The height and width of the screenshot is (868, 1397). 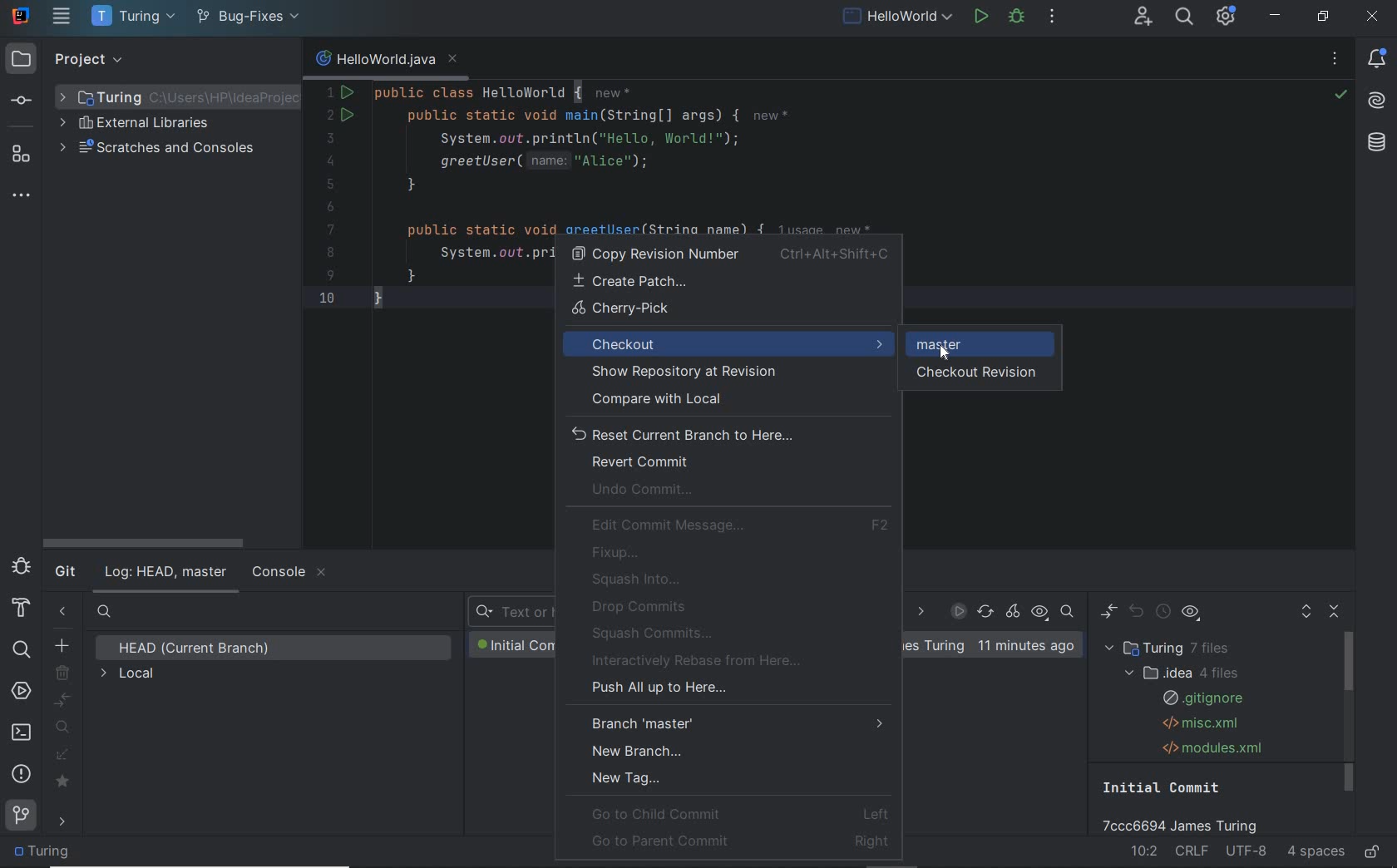 I want to click on turing 7 files, so click(x=1172, y=649).